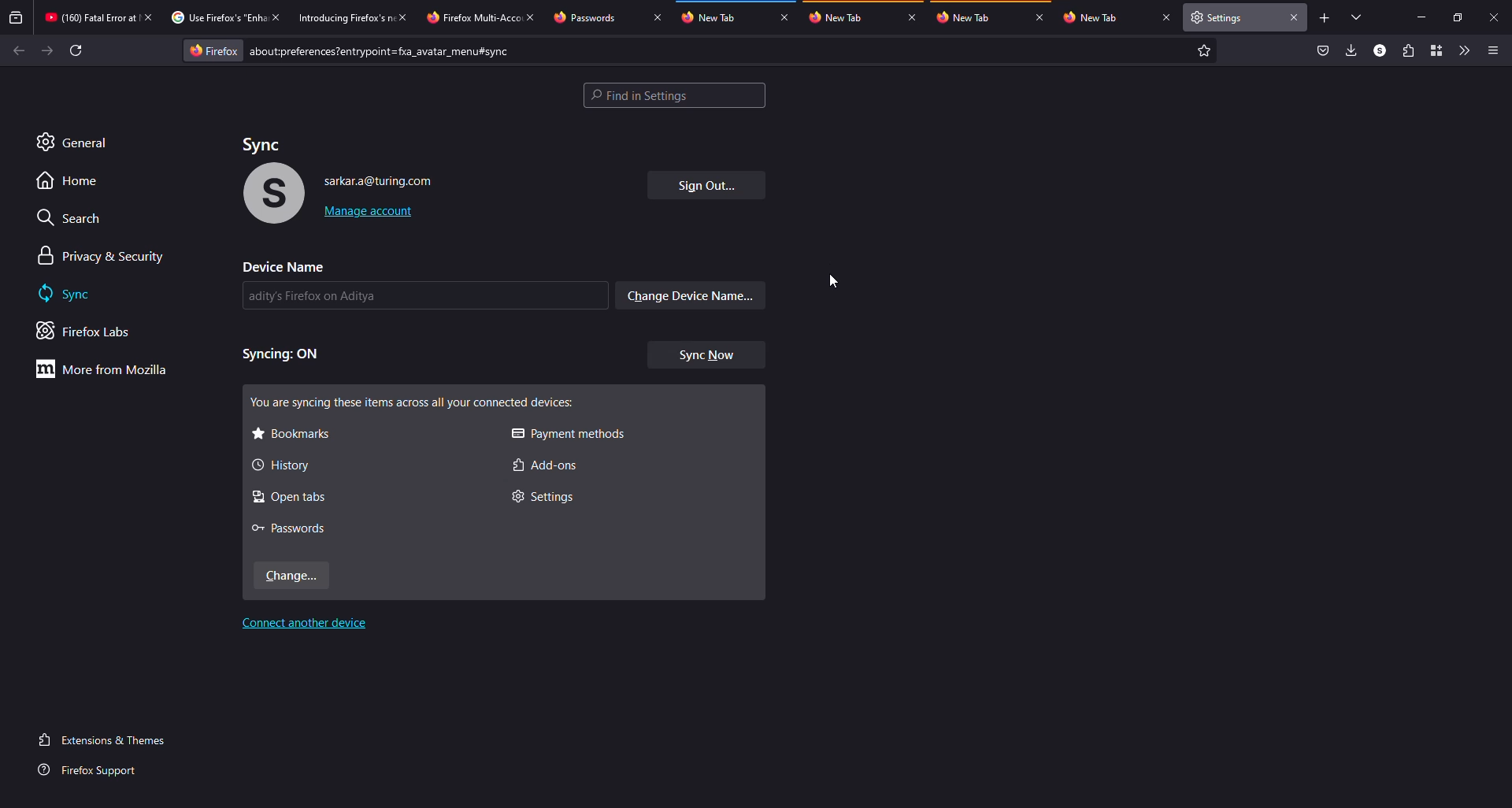 This screenshot has height=808, width=1512. Describe the element at coordinates (1463, 49) in the screenshot. I see `more tools` at that location.